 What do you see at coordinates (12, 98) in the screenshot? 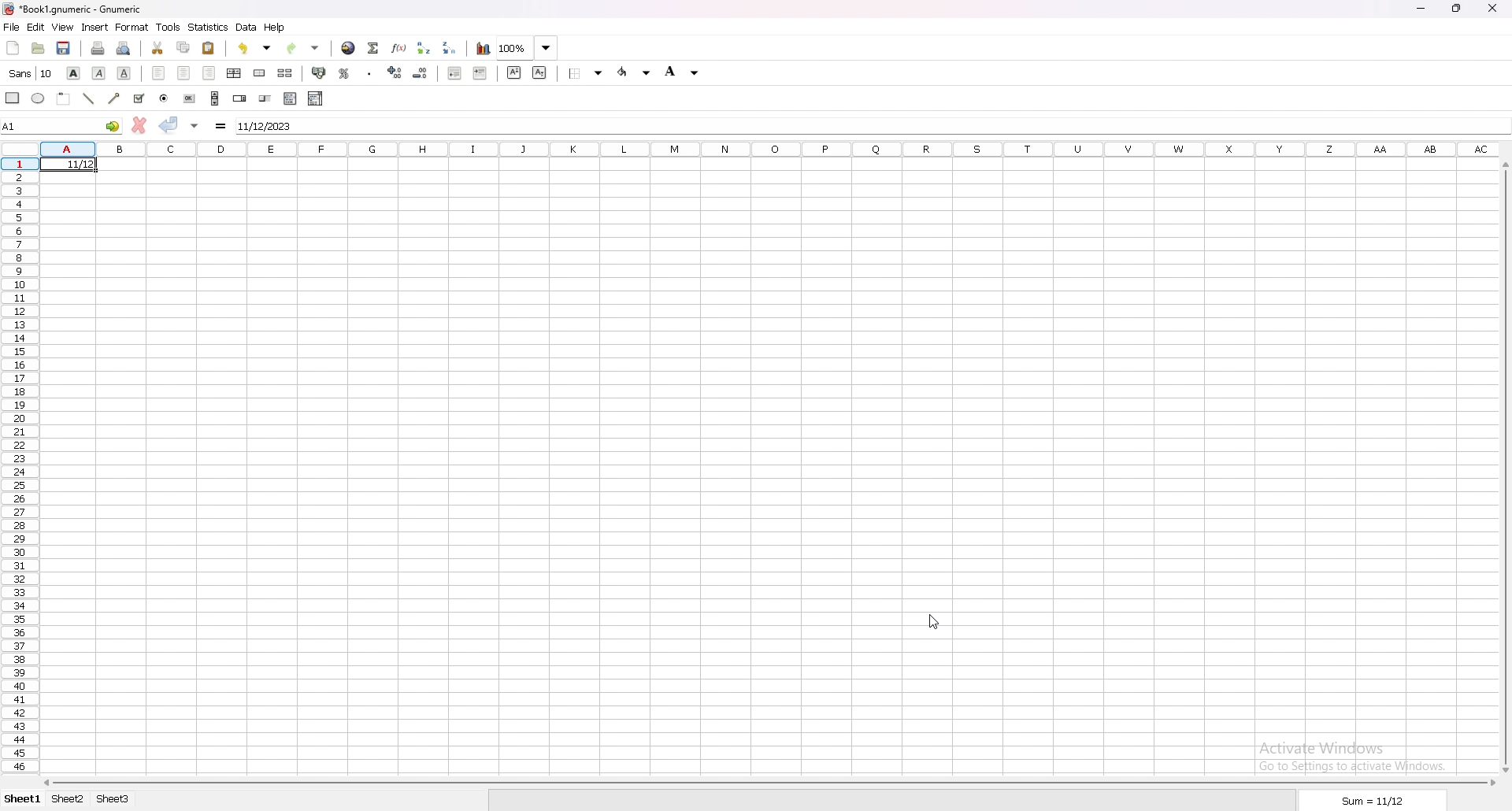
I see `rectangle` at bounding box center [12, 98].